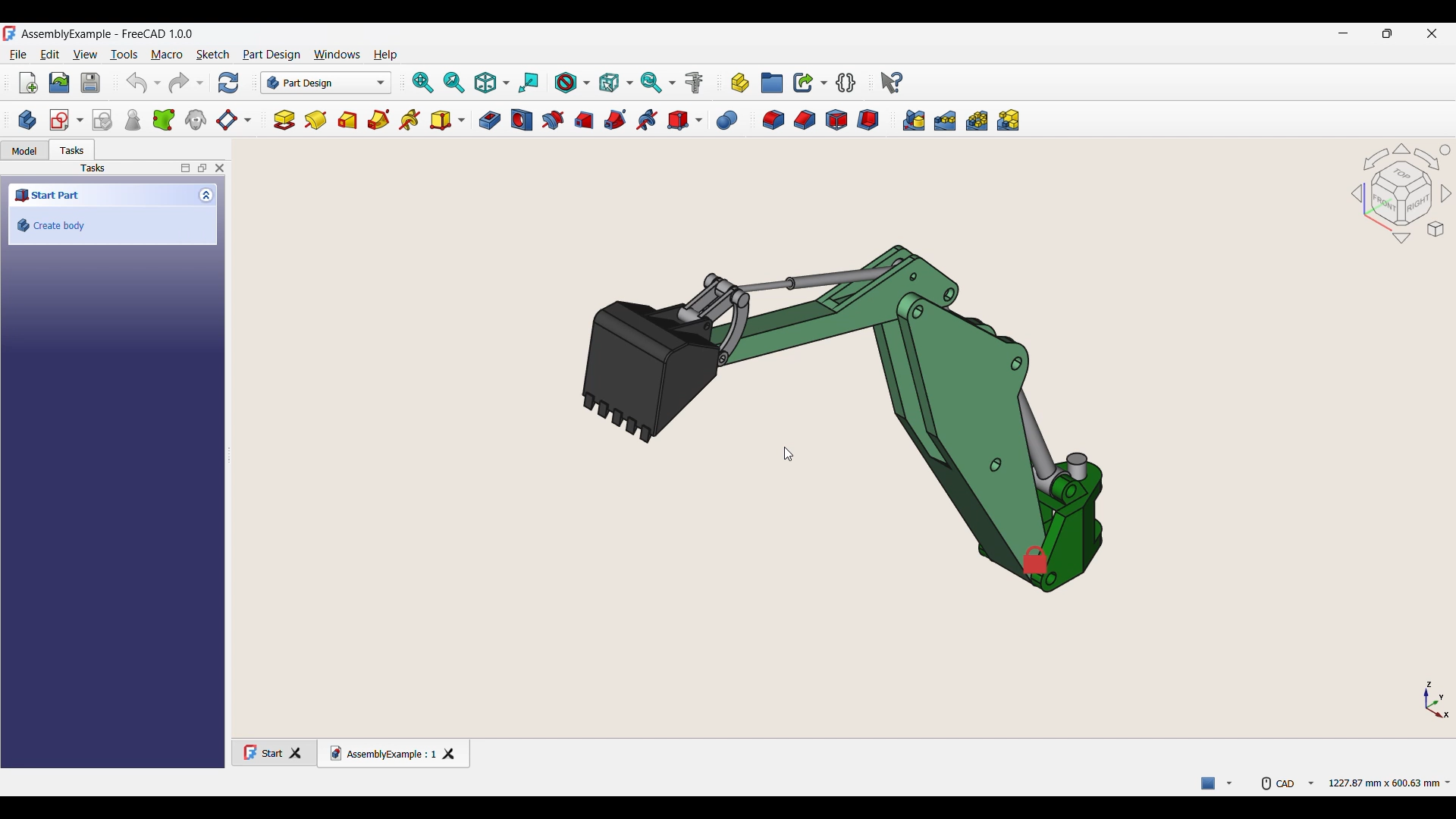 This screenshot has height=819, width=1456. I want to click on Make link options, so click(811, 83).